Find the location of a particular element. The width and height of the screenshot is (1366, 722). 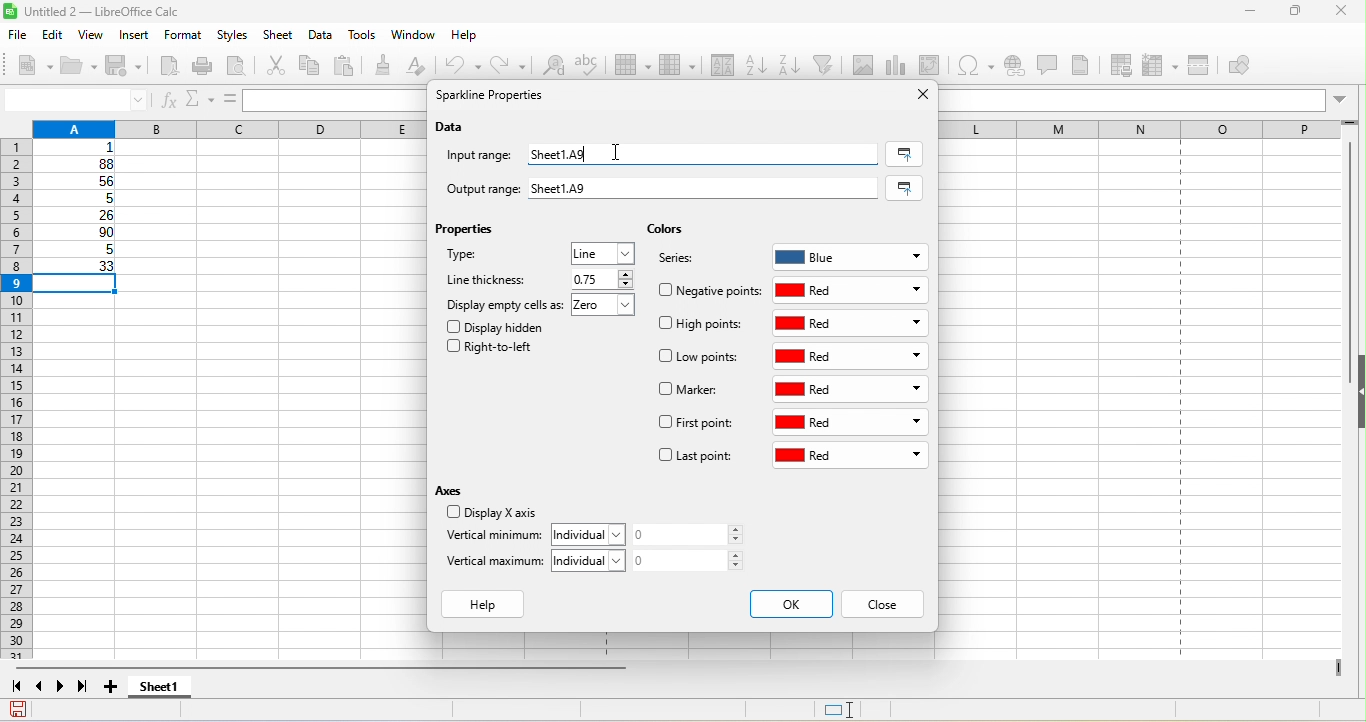

headers and footers is located at coordinates (1086, 65).